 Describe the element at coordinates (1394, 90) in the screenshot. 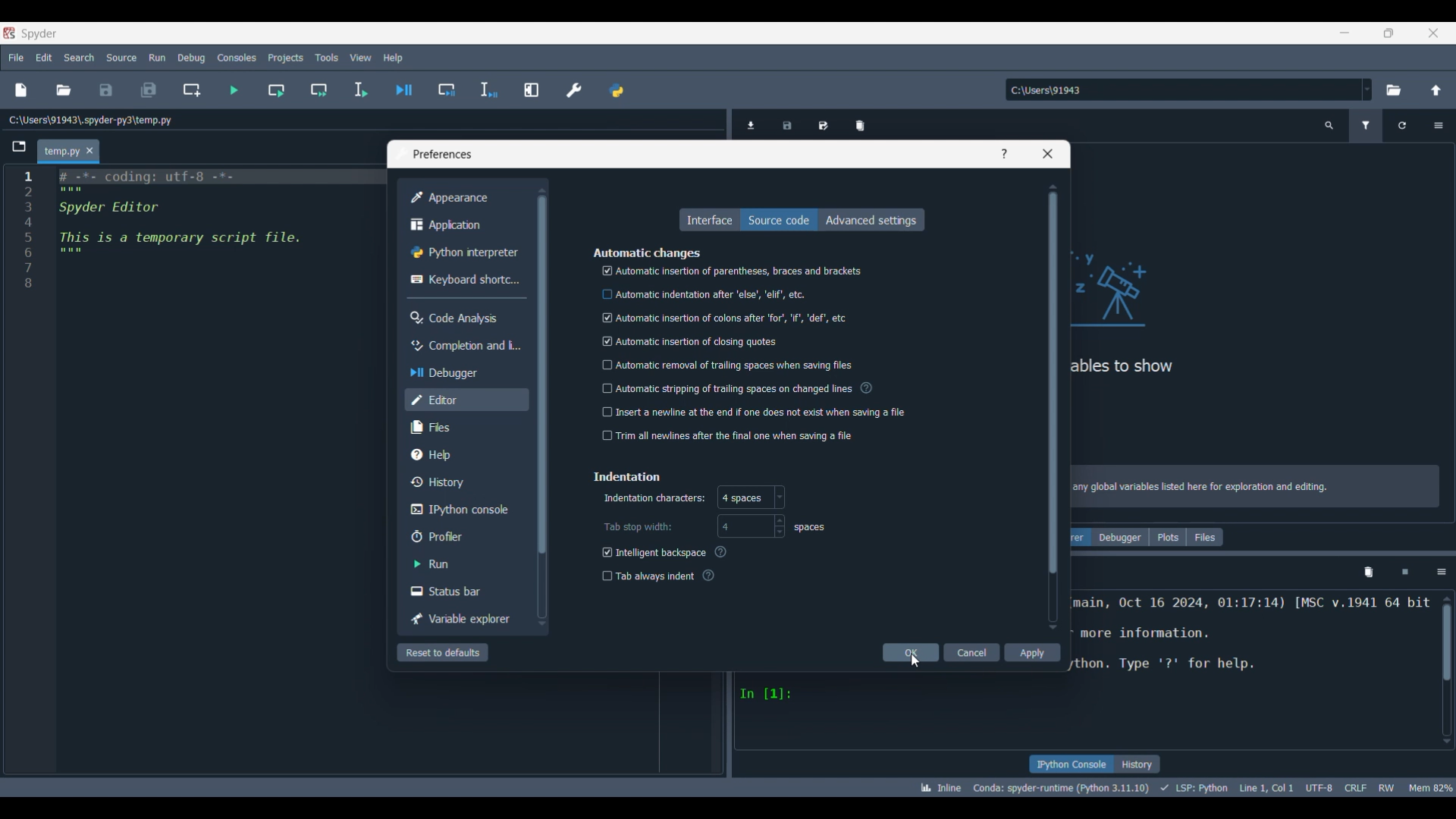

I see `Browse a default directory` at that location.